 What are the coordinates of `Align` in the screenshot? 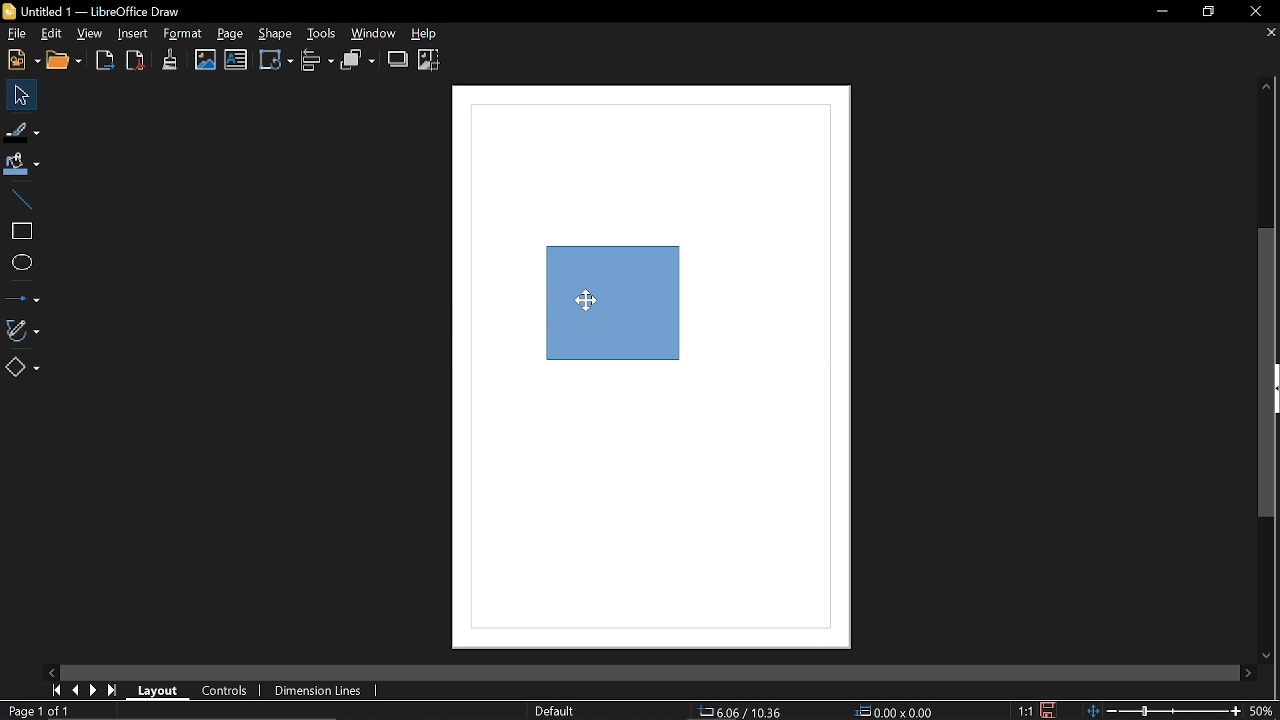 It's located at (315, 61).